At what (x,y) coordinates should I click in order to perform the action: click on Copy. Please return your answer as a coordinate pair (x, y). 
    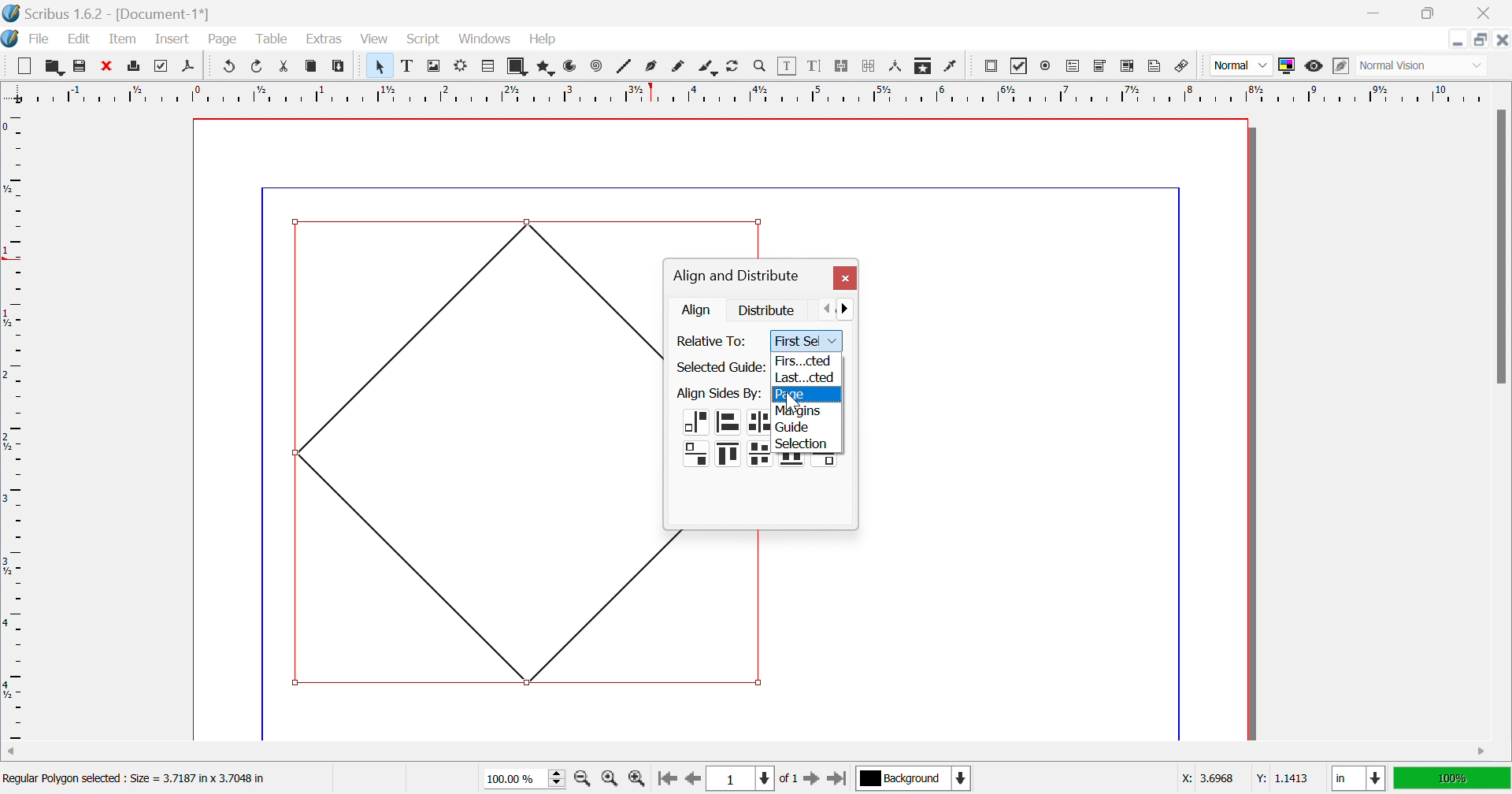
    Looking at the image, I should click on (311, 65).